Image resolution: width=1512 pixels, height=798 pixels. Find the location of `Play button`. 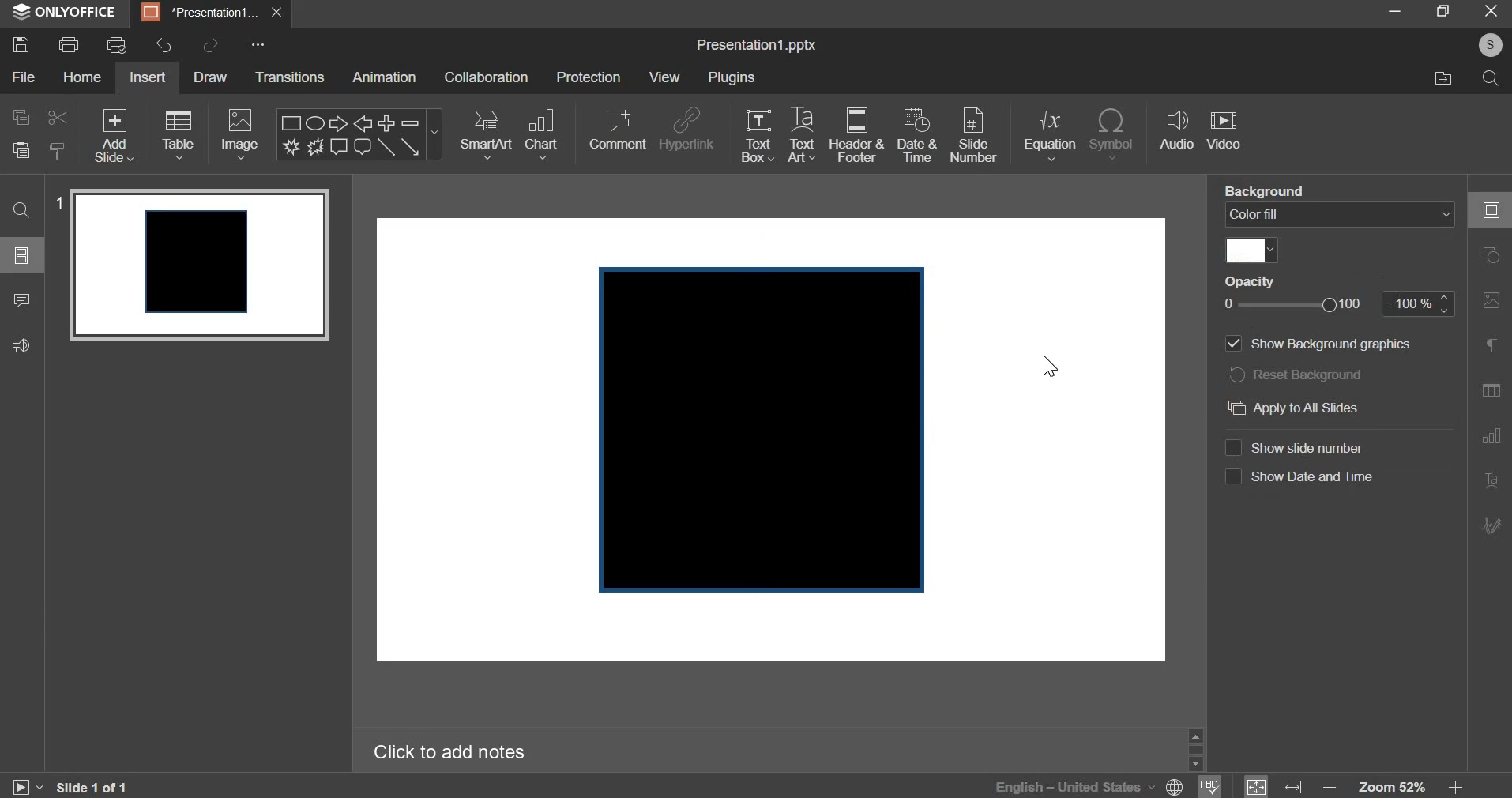

Play button is located at coordinates (28, 782).